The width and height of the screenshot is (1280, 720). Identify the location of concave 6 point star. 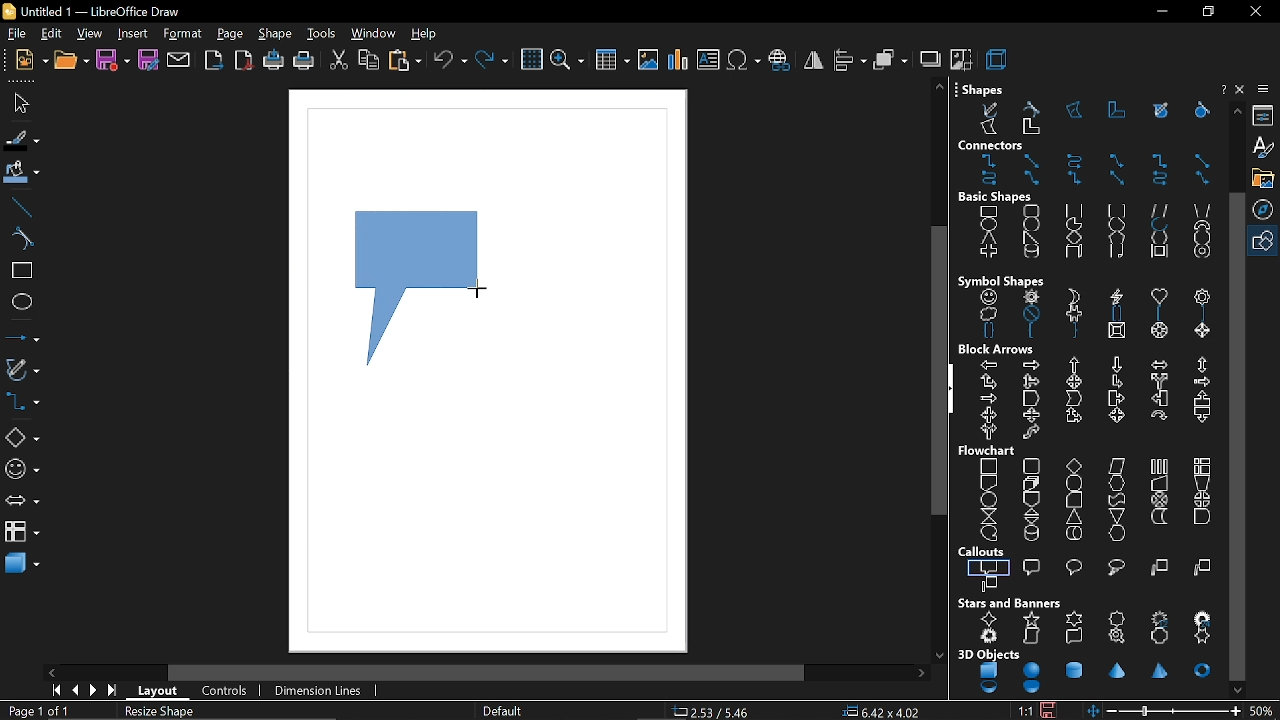
(1203, 637).